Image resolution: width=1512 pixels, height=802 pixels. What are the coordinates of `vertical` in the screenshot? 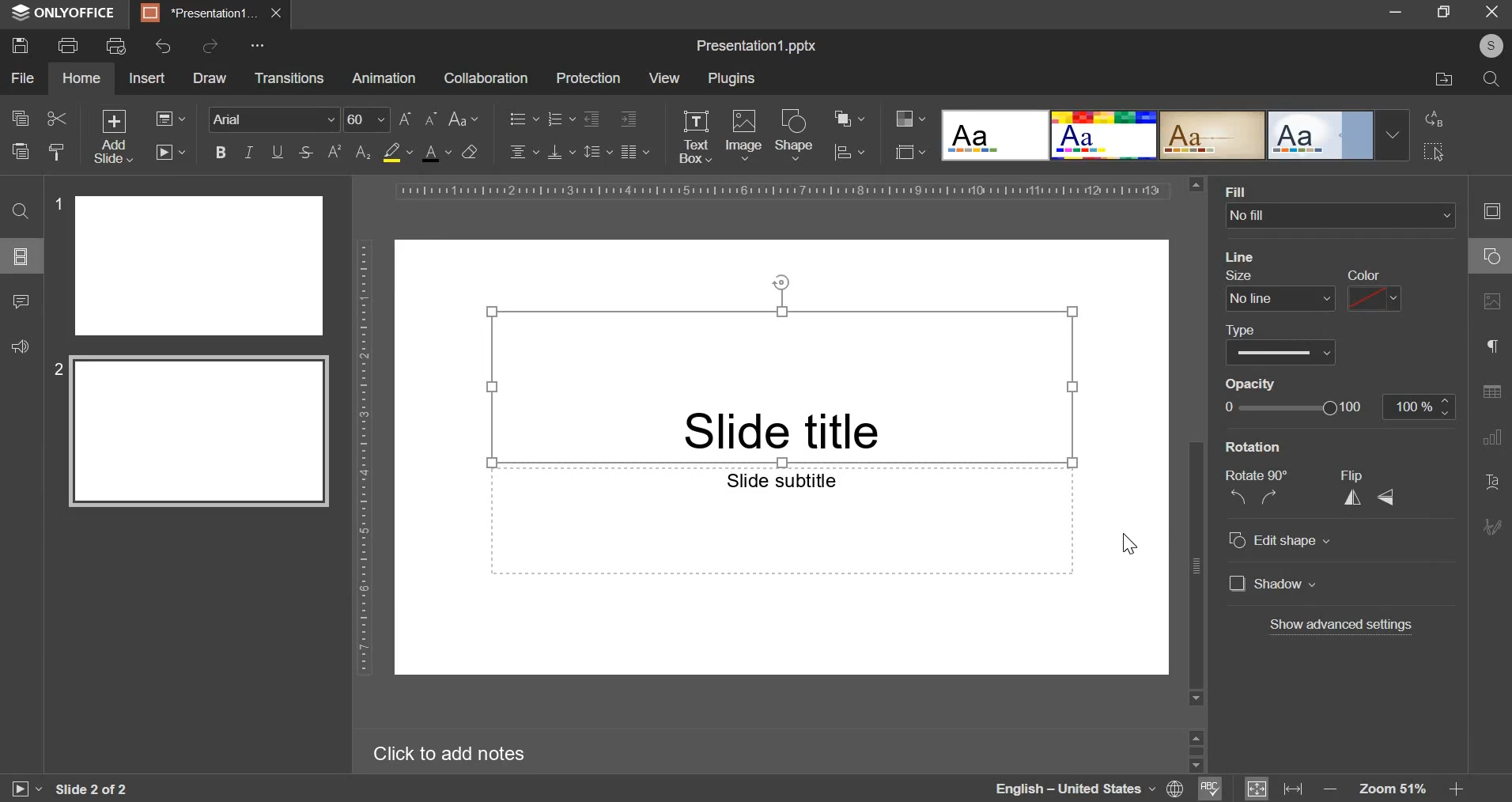 It's located at (1356, 496).